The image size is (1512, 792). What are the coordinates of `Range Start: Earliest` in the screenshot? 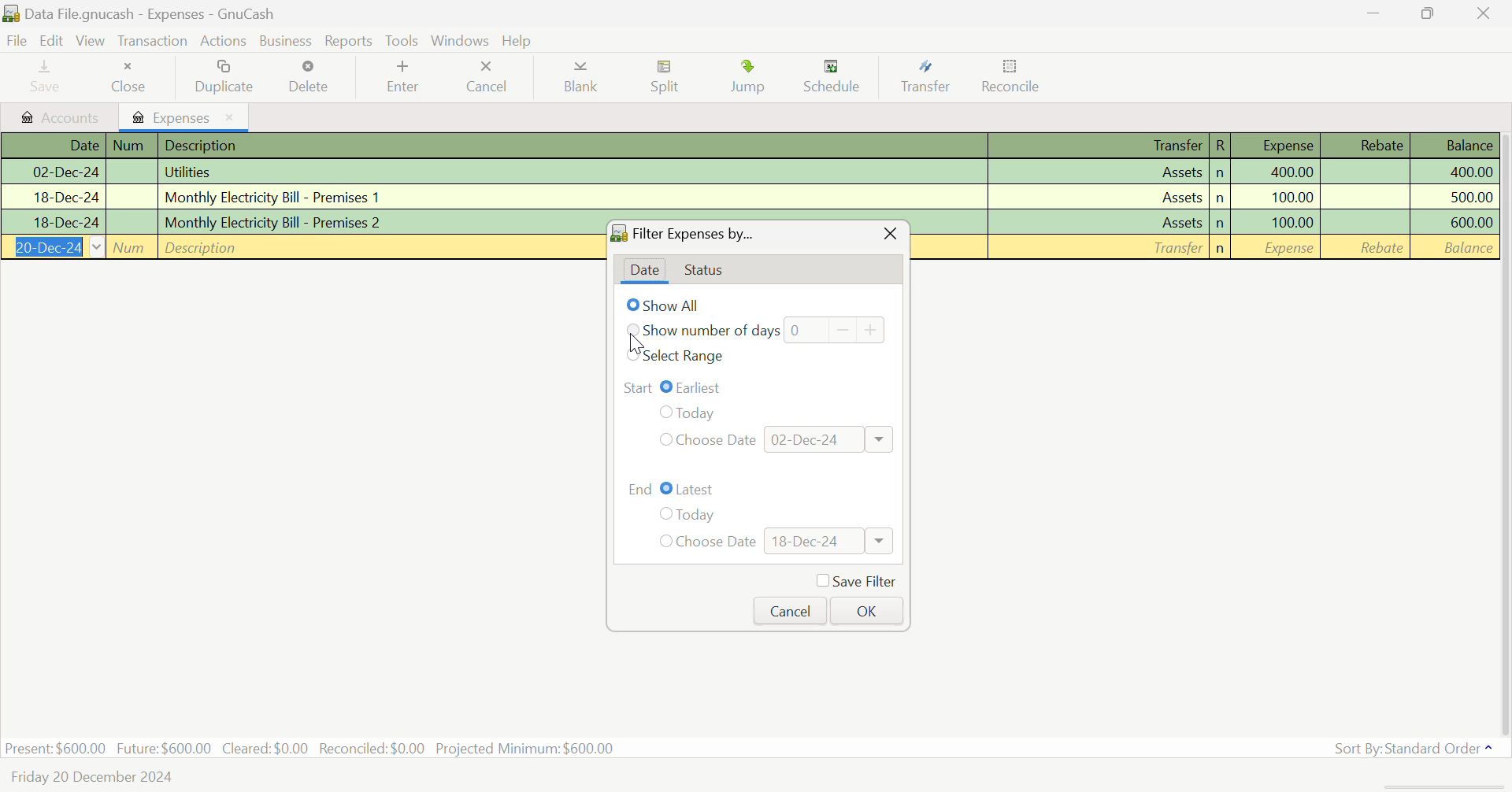 It's located at (759, 387).